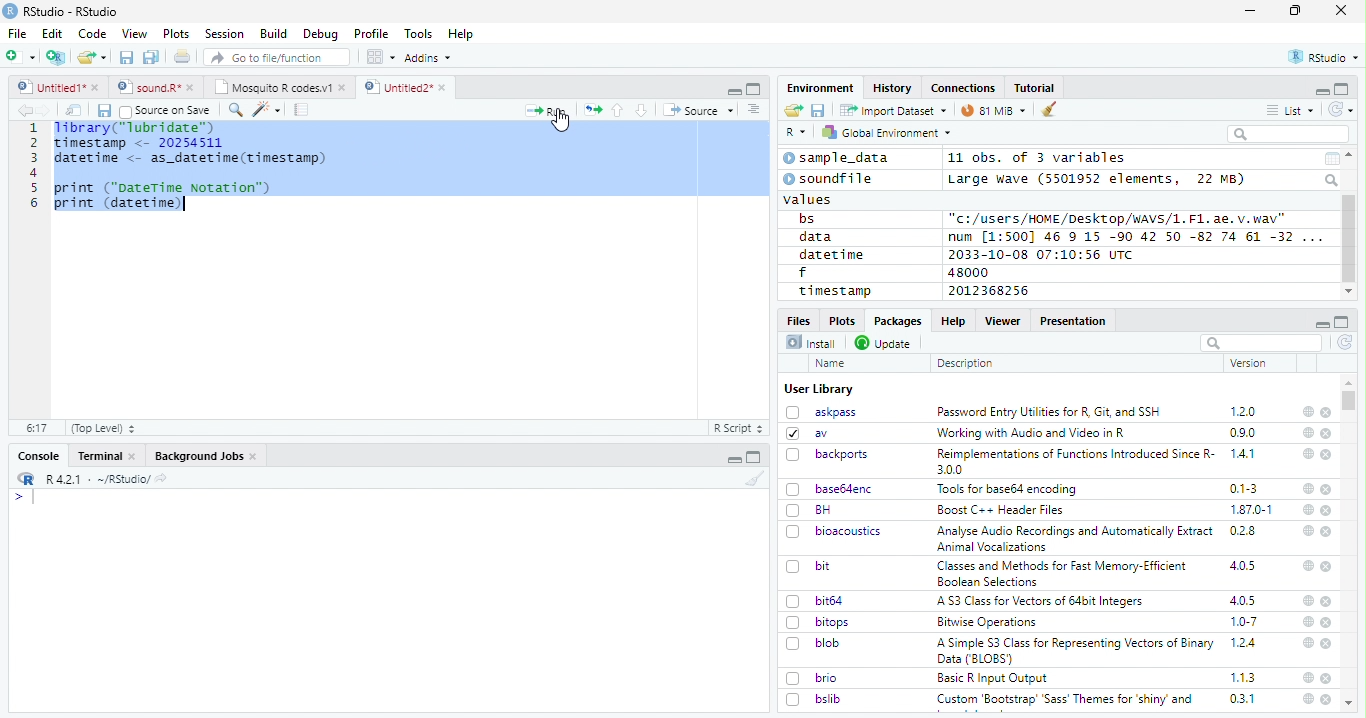 This screenshot has height=718, width=1366. What do you see at coordinates (10, 11) in the screenshot?
I see `logo` at bounding box center [10, 11].